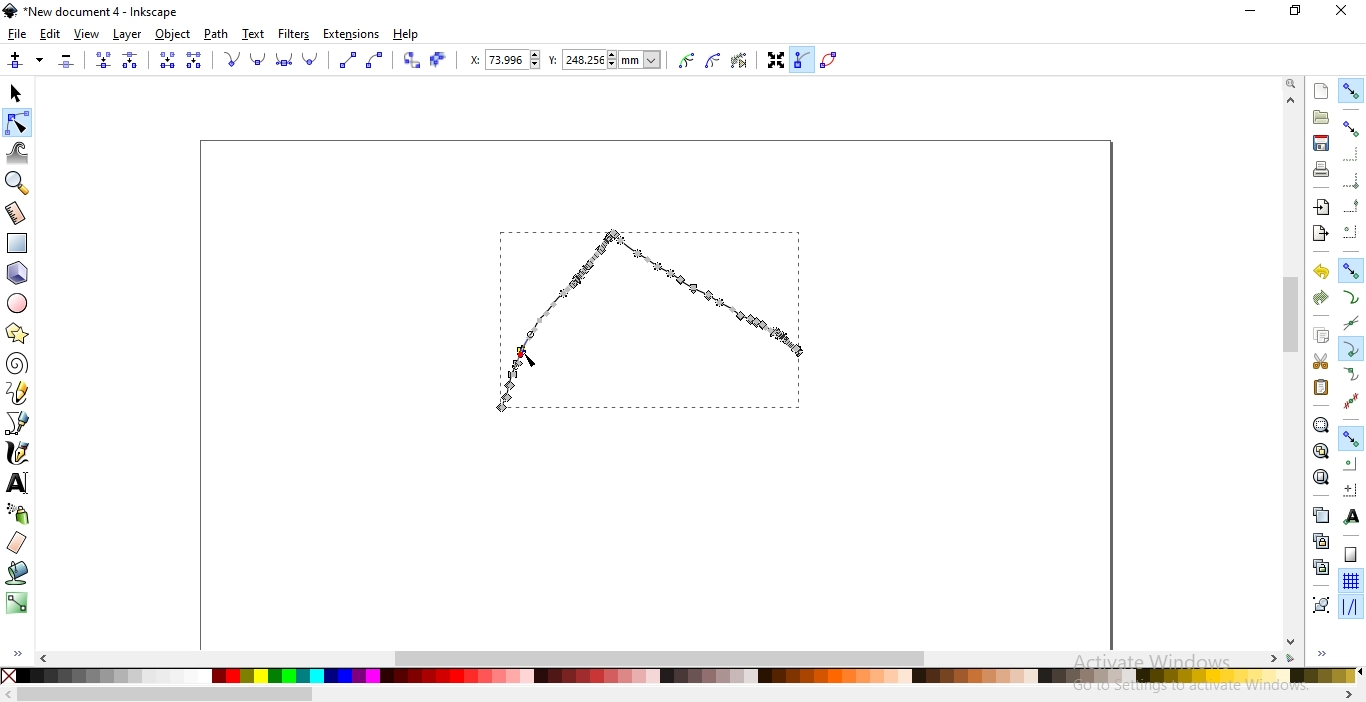 The height and width of the screenshot is (702, 1366). What do you see at coordinates (668, 311) in the screenshot?
I see `object image` at bounding box center [668, 311].